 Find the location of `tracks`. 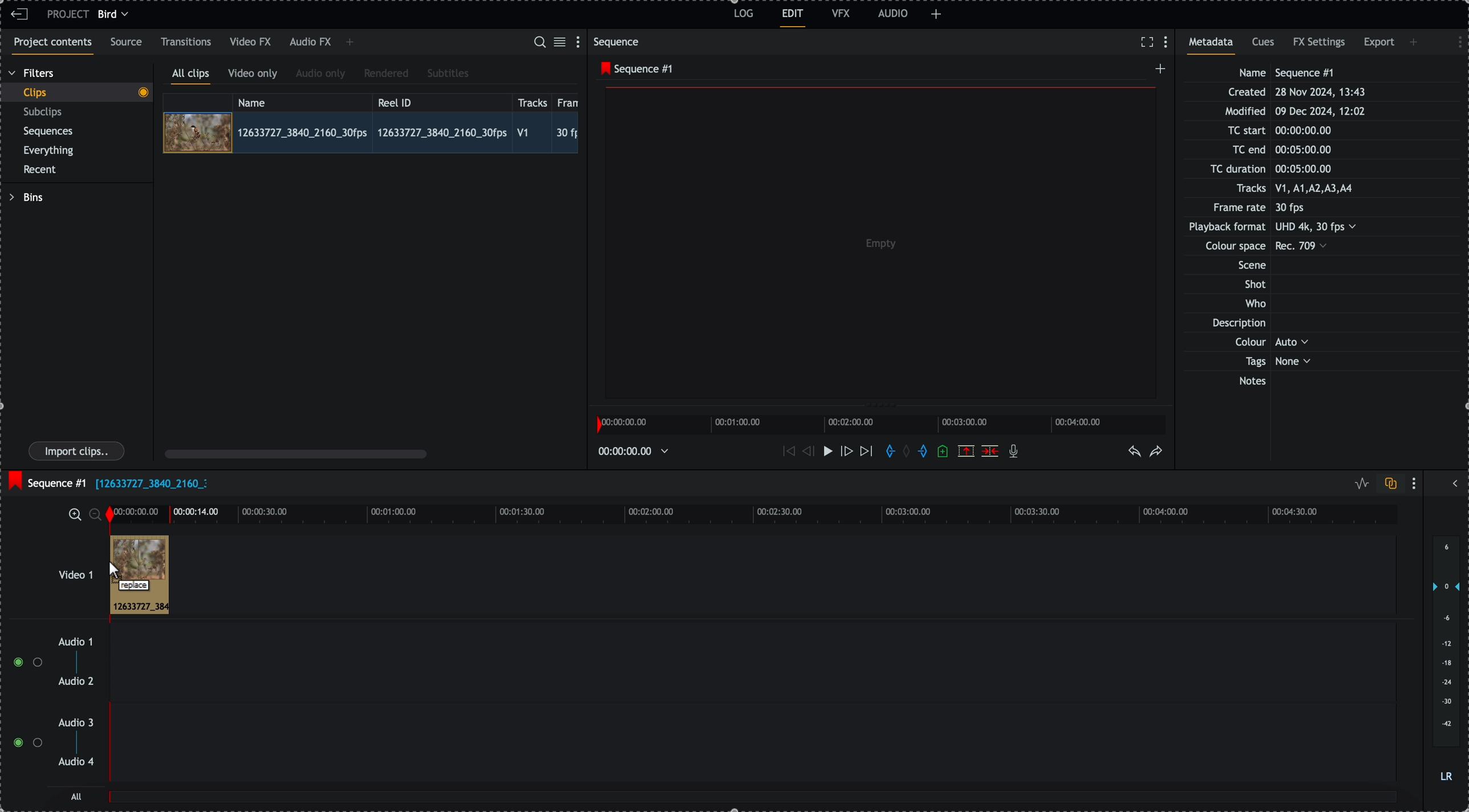

tracks is located at coordinates (533, 101).